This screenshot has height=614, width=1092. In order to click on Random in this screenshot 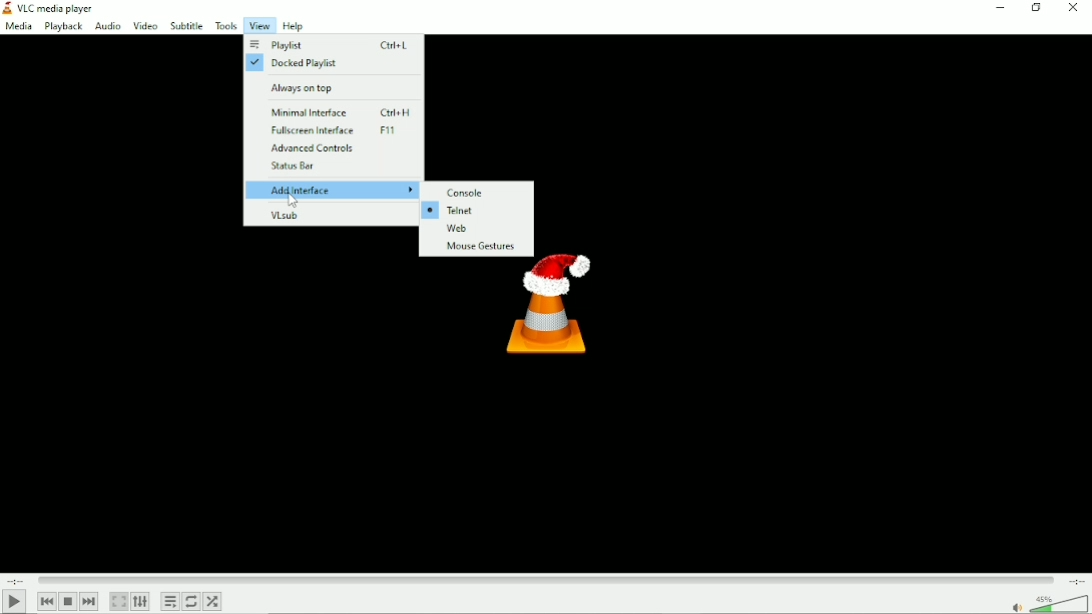, I will do `click(212, 602)`.